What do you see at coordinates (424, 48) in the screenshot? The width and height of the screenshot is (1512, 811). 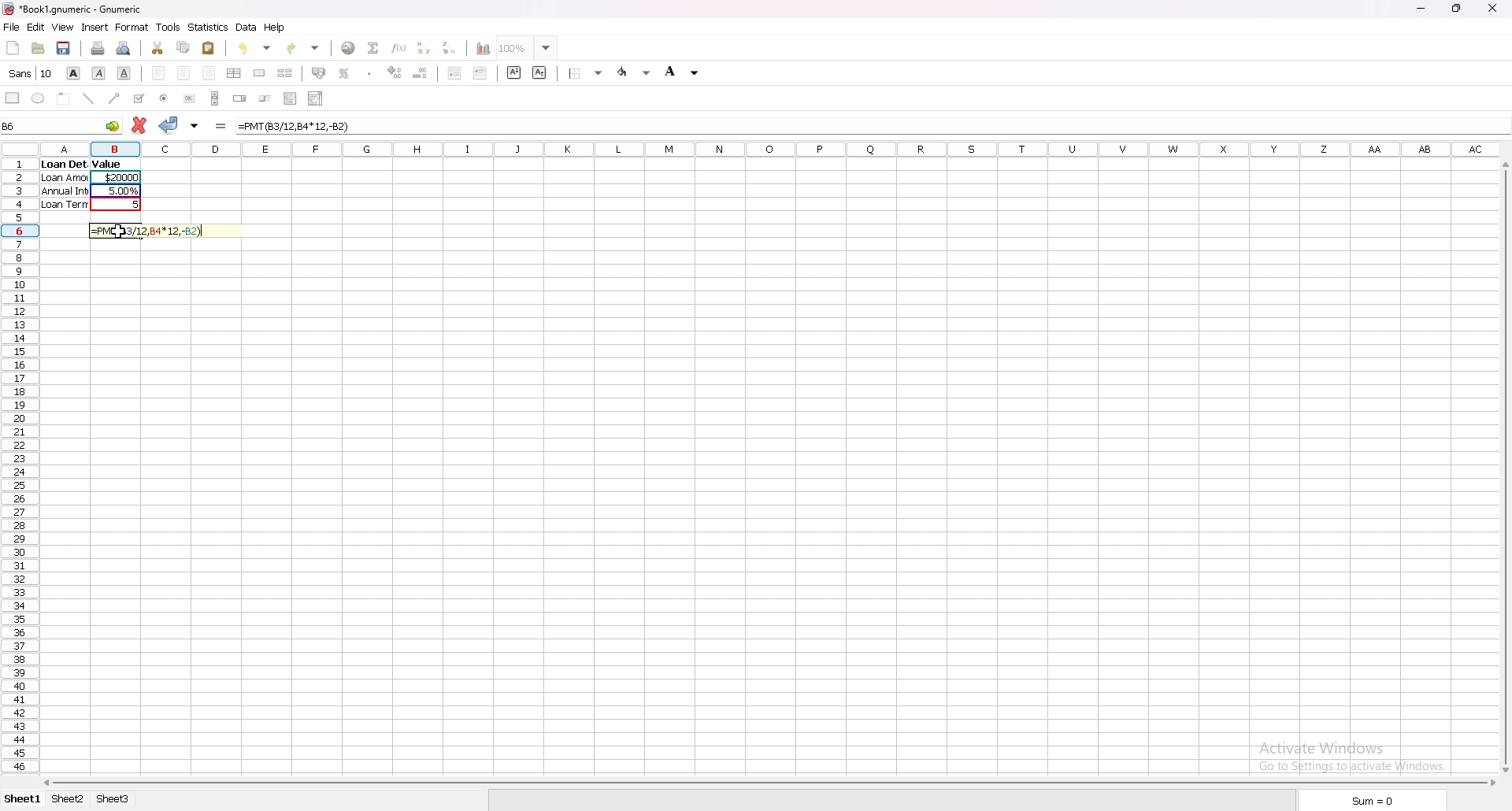 I see `sort ascending` at bounding box center [424, 48].